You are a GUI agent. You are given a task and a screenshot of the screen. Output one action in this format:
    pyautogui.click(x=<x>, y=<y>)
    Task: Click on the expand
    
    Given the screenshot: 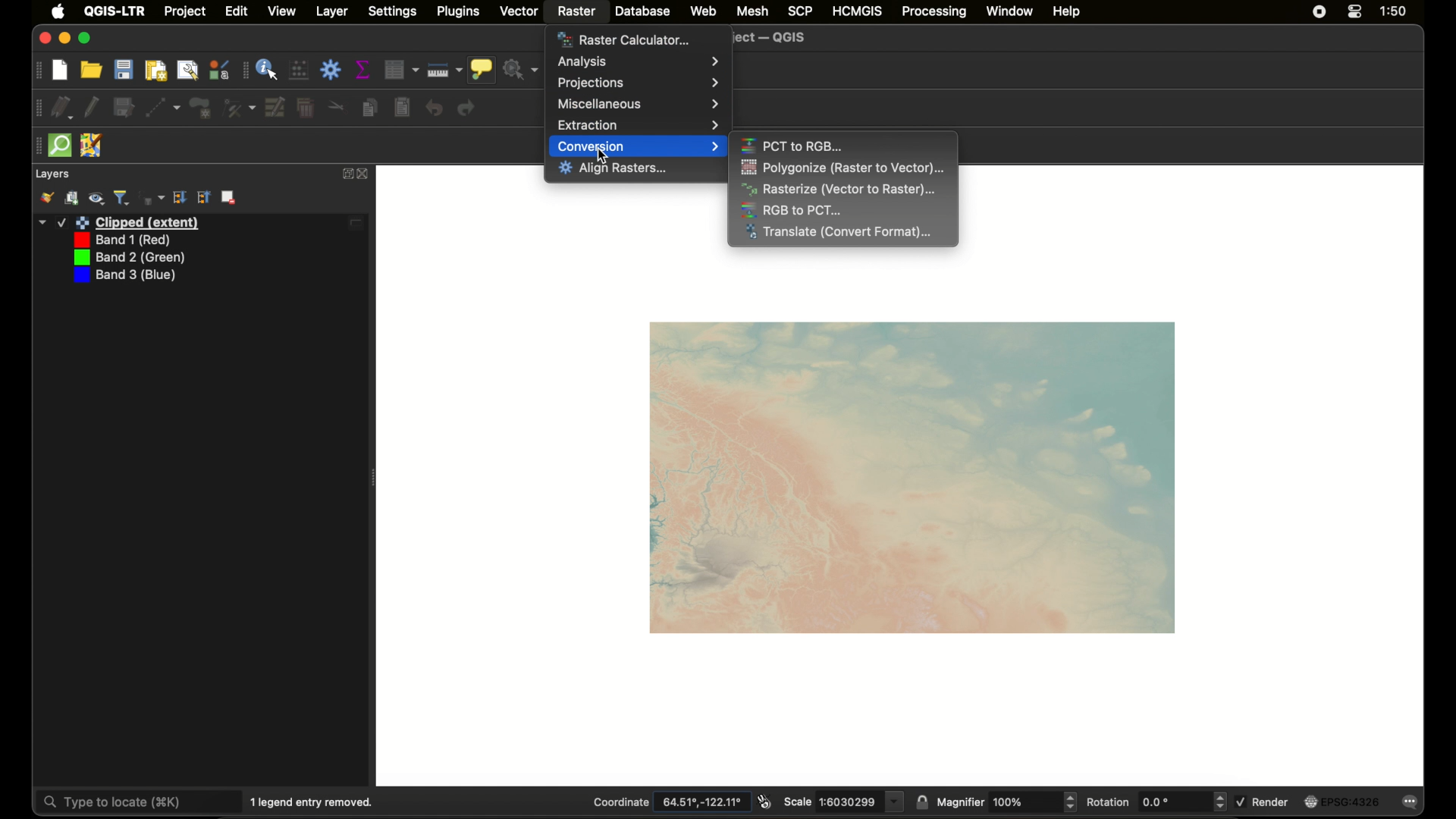 What is the action you would take?
    pyautogui.click(x=346, y=174)
    